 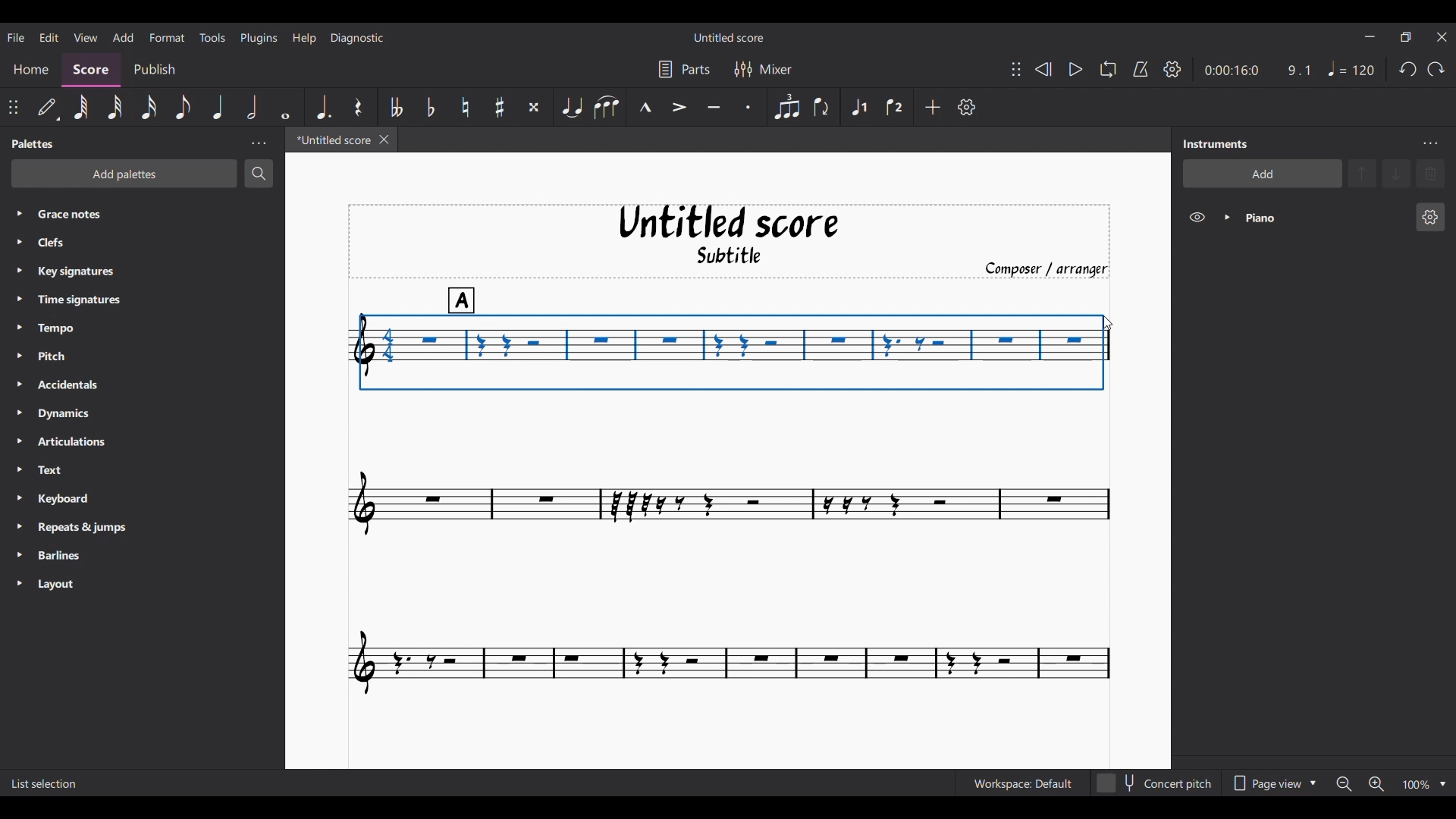 I want to click on Delete, so click(x=1431, y=174).